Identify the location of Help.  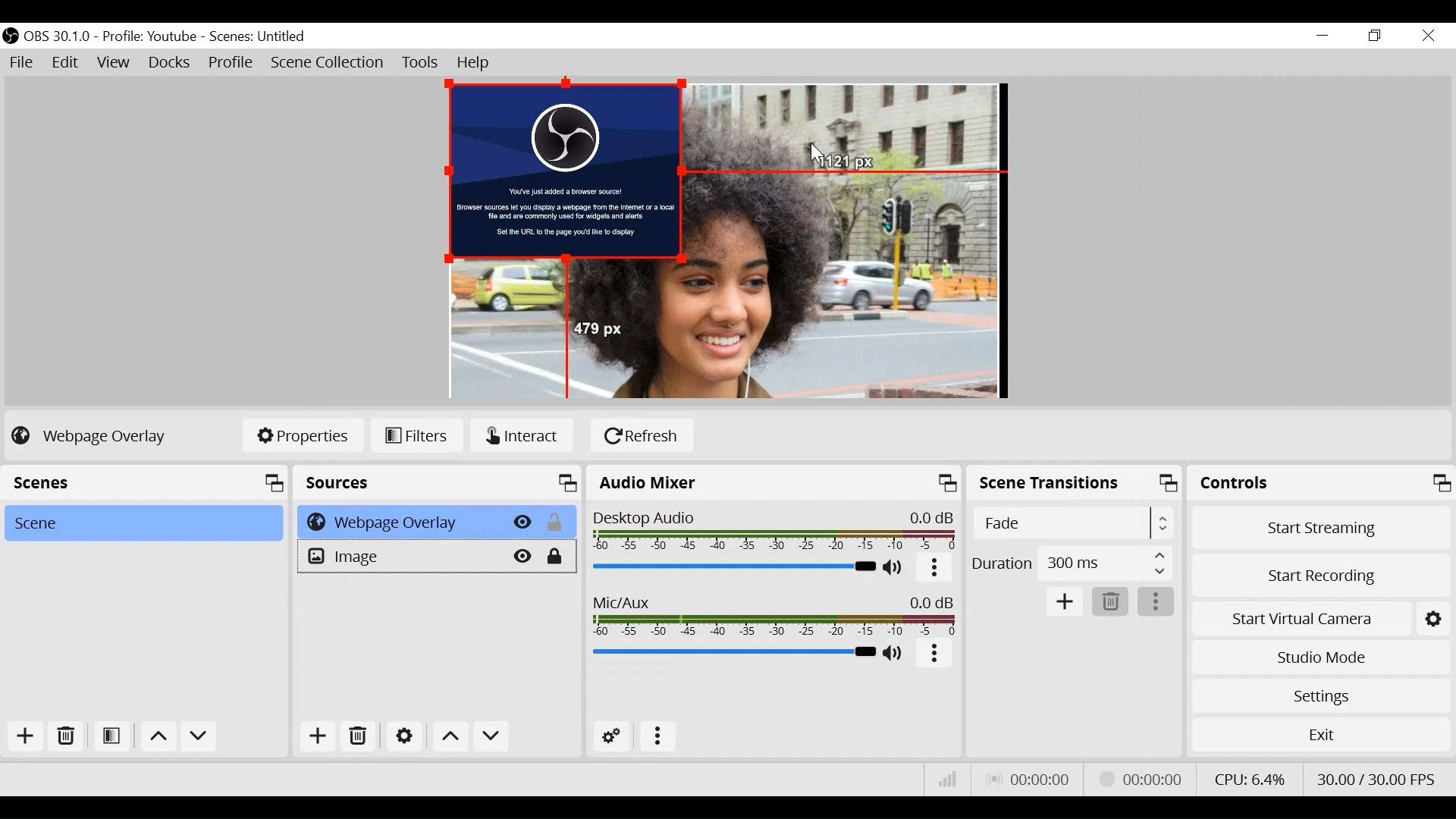
(474, 63).